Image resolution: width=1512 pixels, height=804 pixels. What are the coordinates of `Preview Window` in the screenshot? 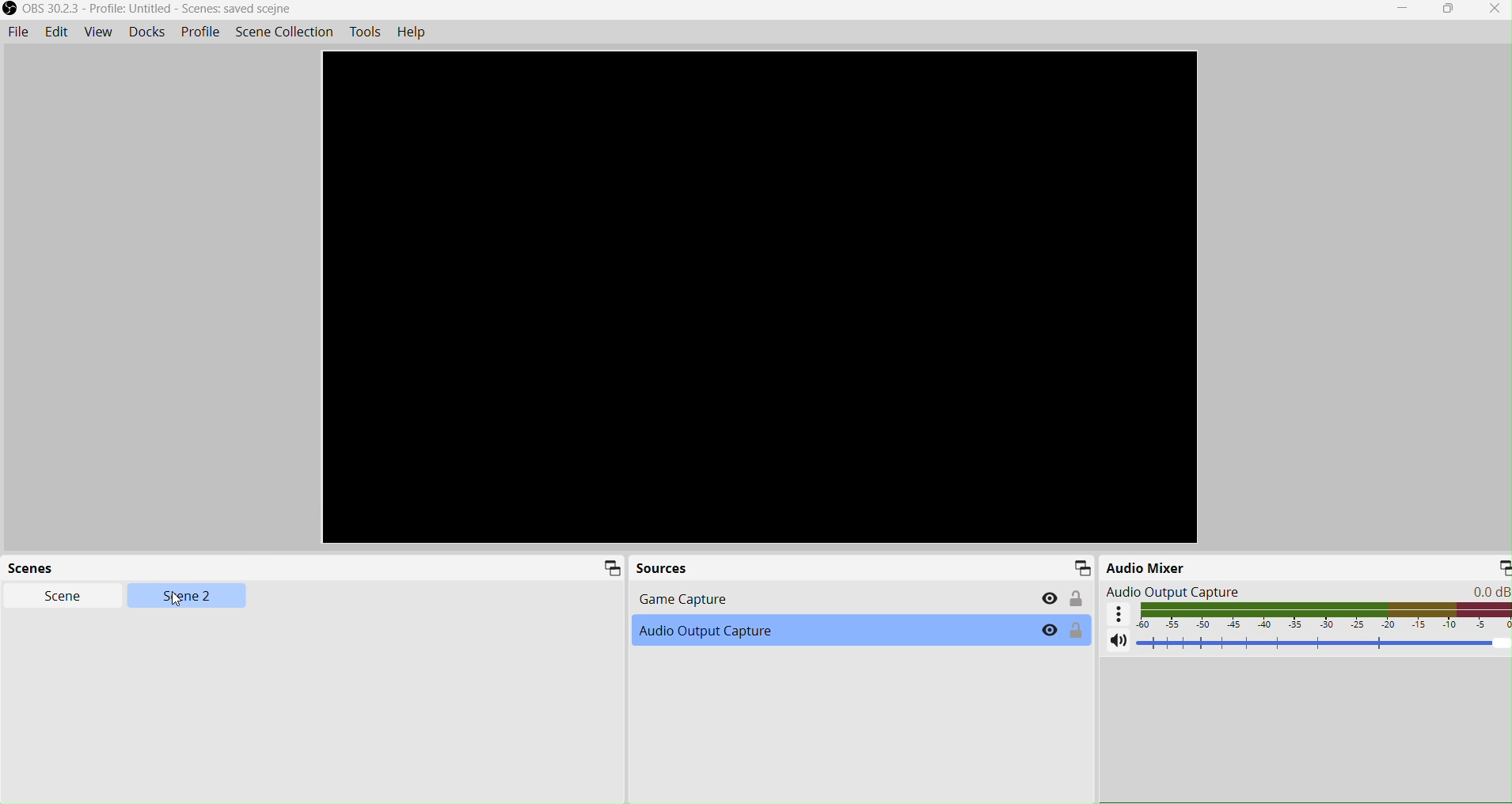 It's located at (762, 298).